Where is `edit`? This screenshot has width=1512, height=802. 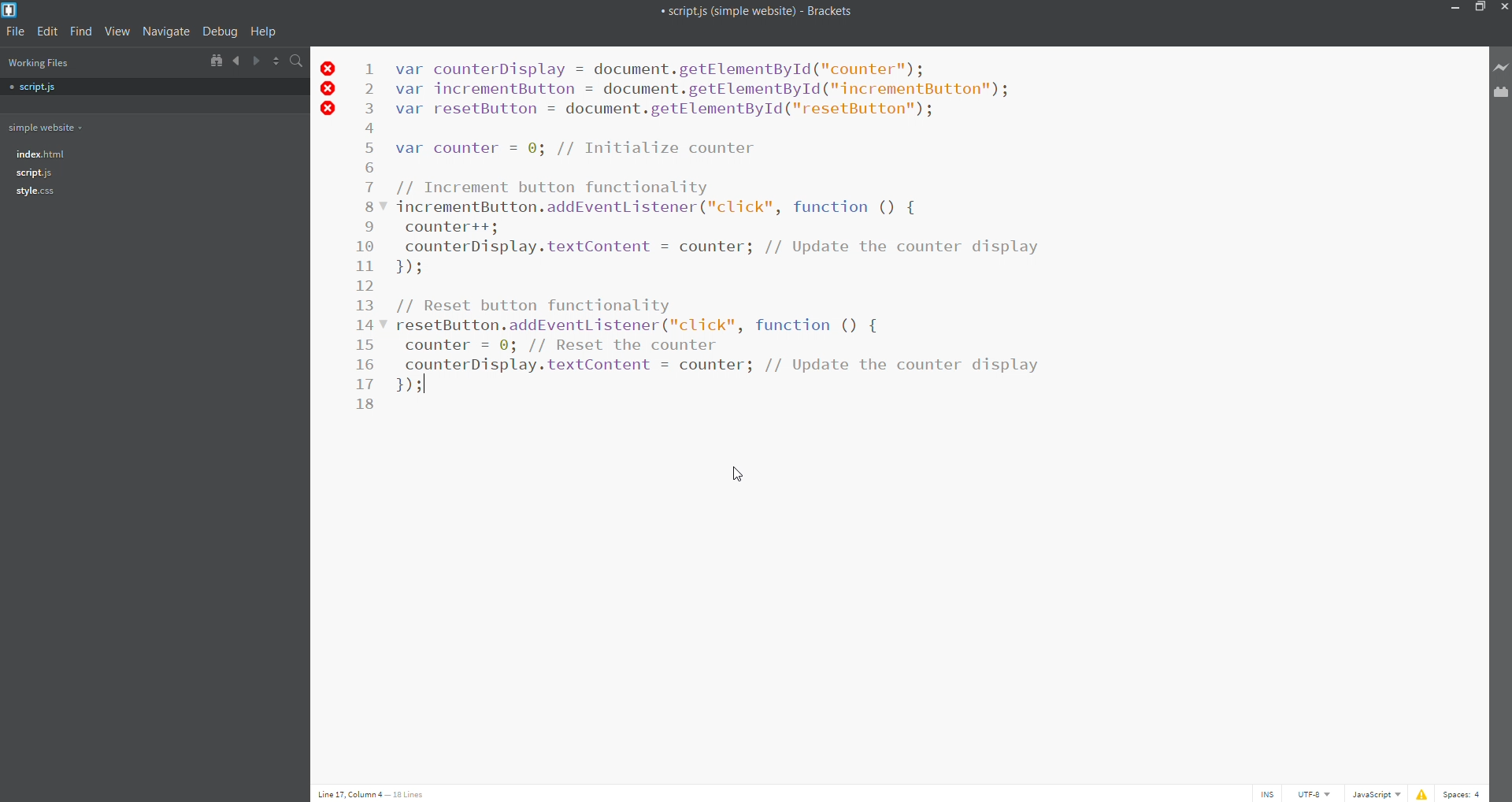
edit is located at coordinates (46, 32).